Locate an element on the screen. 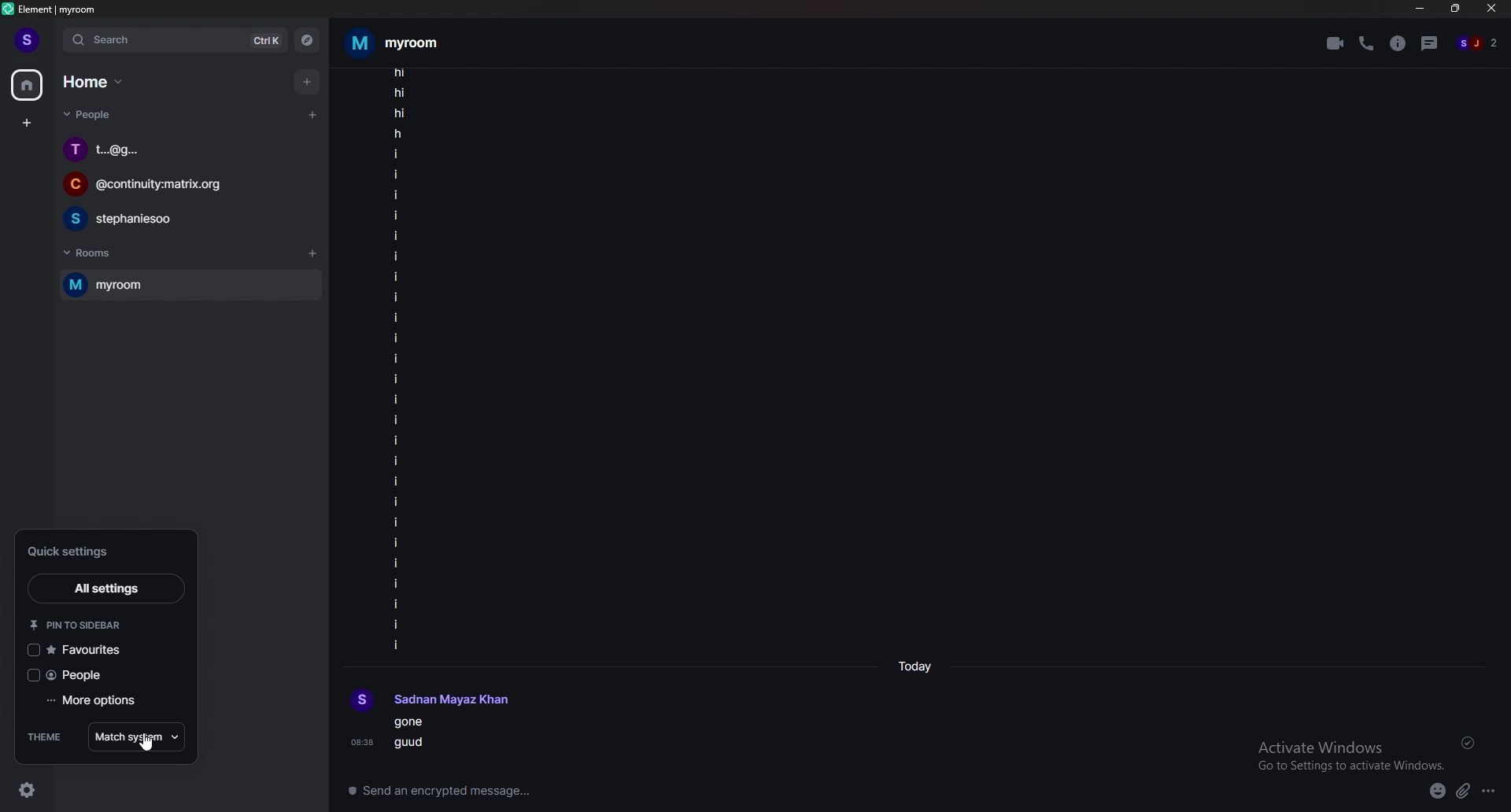  voice call is located at coordinates (1367, 44).